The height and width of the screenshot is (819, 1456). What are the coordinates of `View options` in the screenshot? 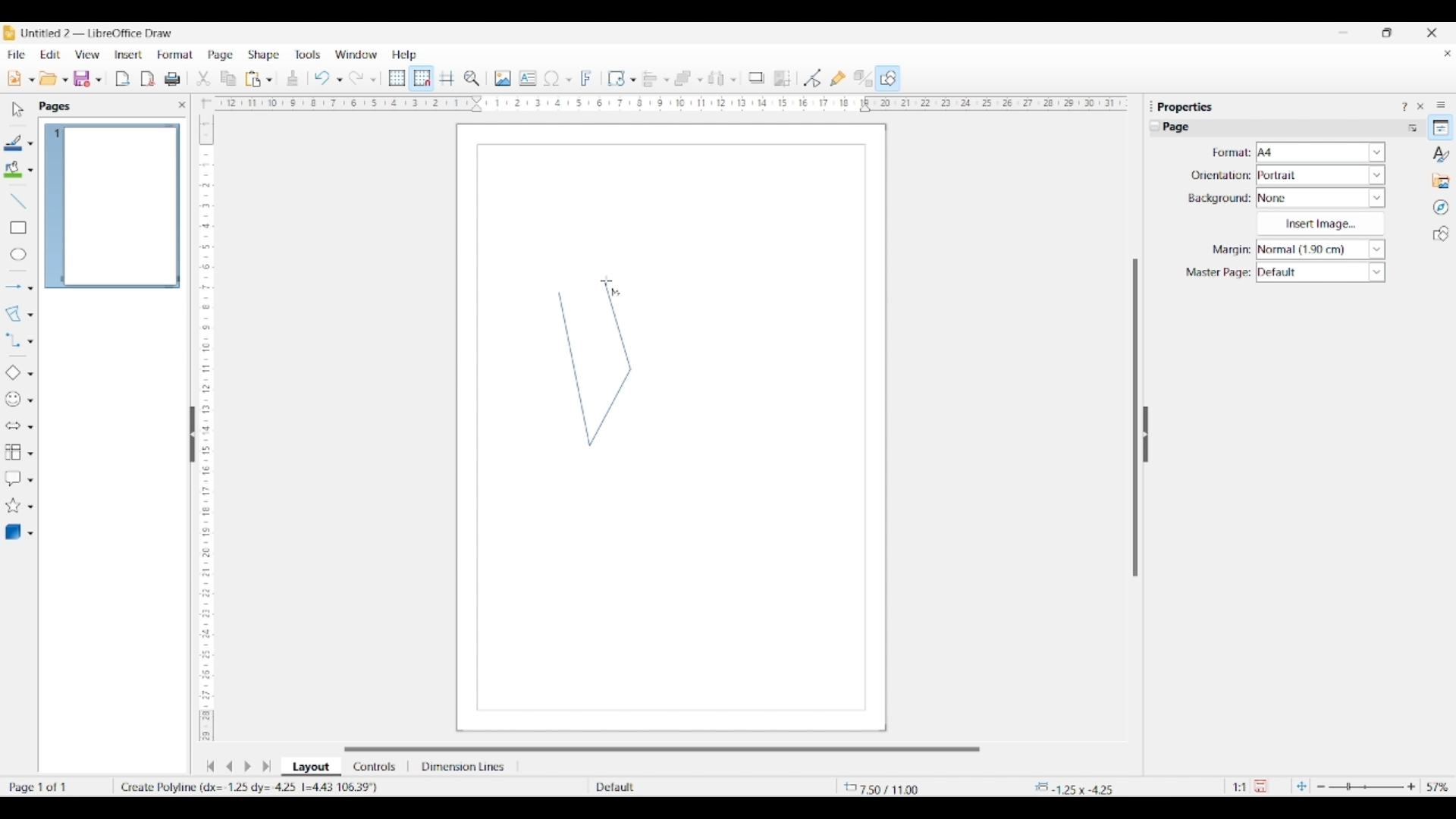 It's located at (86, 55).